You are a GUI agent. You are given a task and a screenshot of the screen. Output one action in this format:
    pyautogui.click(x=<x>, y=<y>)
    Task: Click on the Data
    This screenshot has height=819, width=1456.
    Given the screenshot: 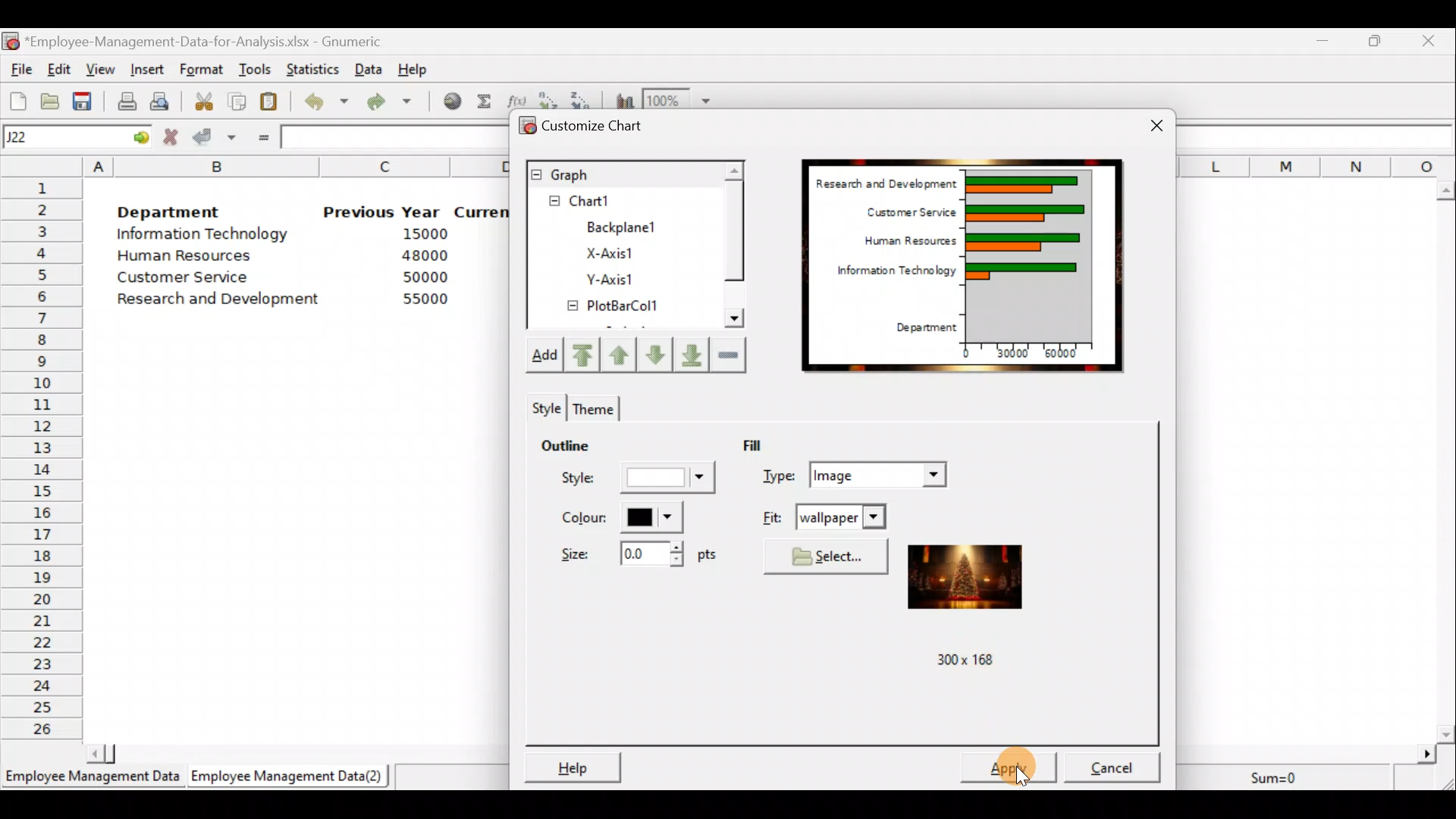 What is the action you would take?
    pyautogui.click(x=369, y=67)
    